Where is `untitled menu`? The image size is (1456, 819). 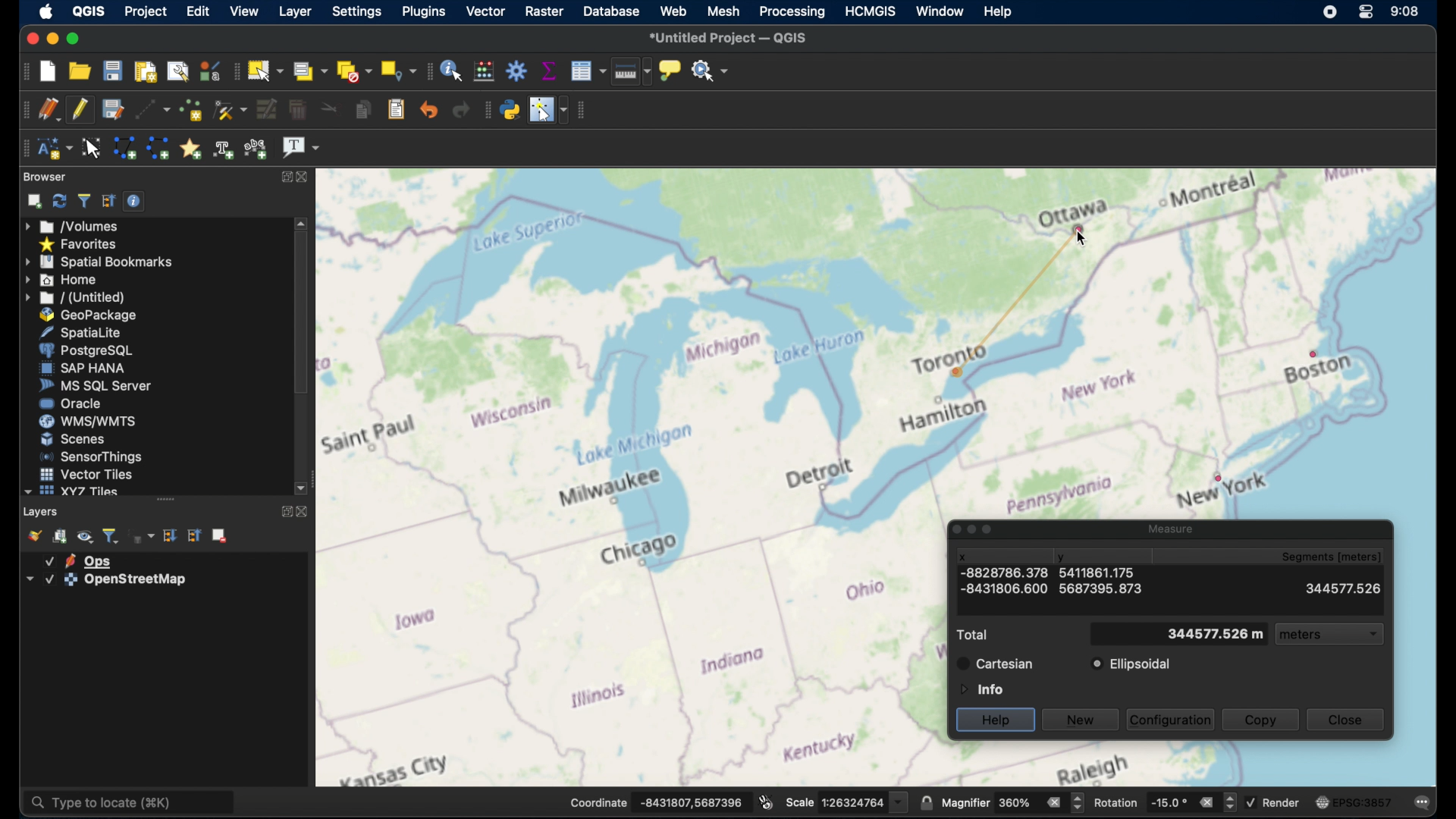
untitled menu is located at coordinates (74, 297).